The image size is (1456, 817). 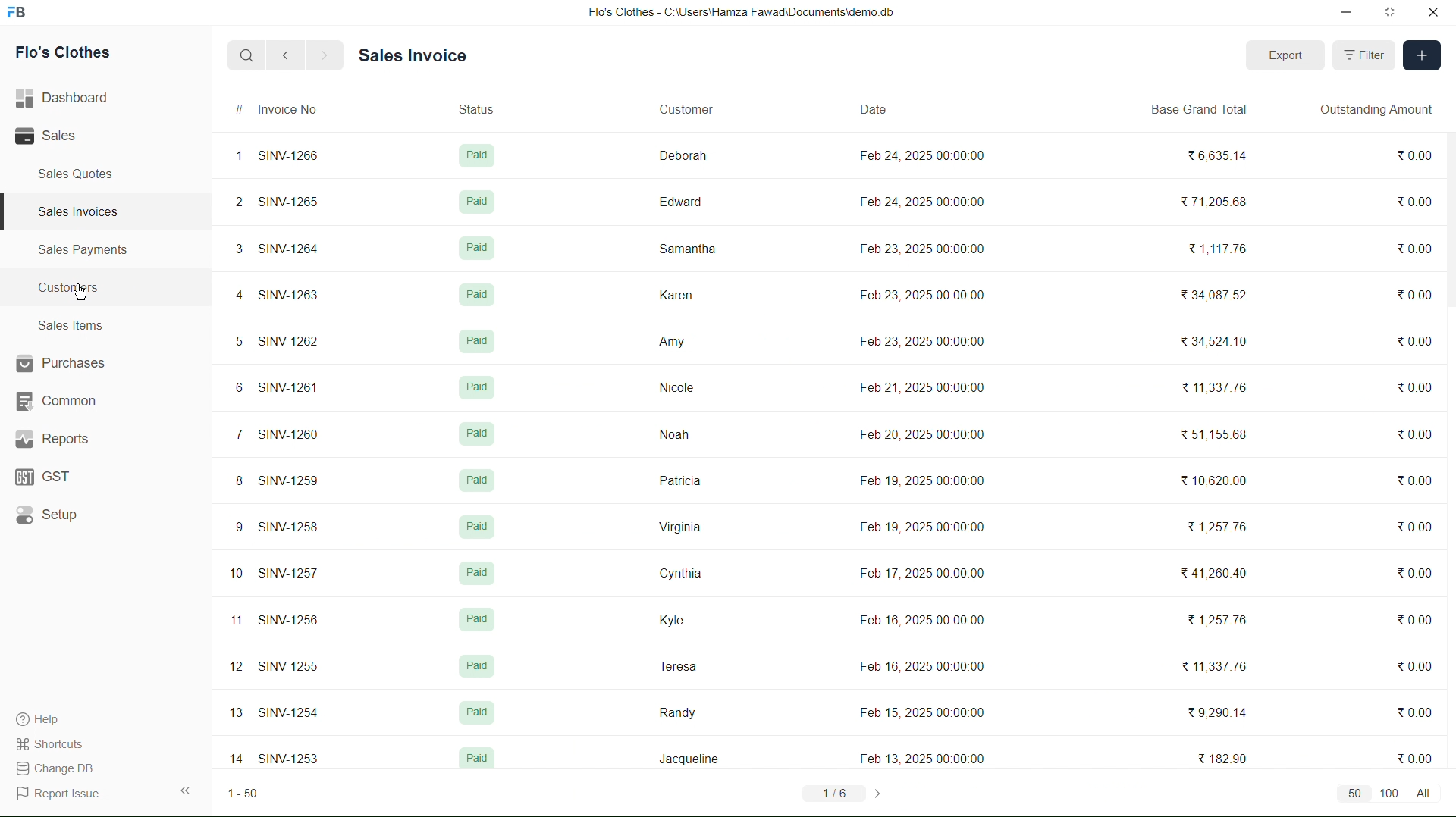 What do you see at coordinates (1415, 246) in the screenshot?
I see `0.00` at bounding box center [1415, 246].